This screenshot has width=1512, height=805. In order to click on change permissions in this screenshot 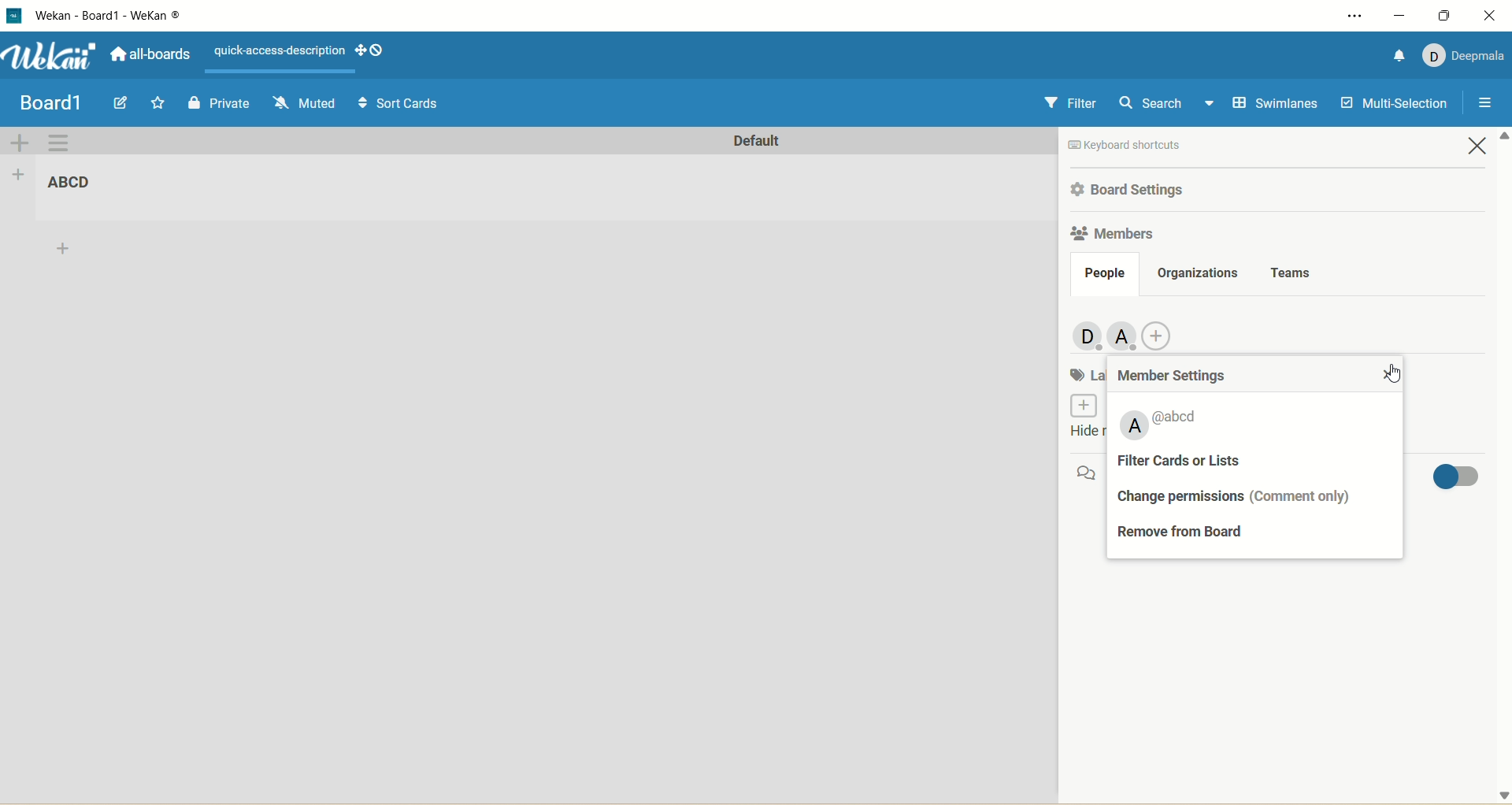, I will do `click(1178, 495)`.